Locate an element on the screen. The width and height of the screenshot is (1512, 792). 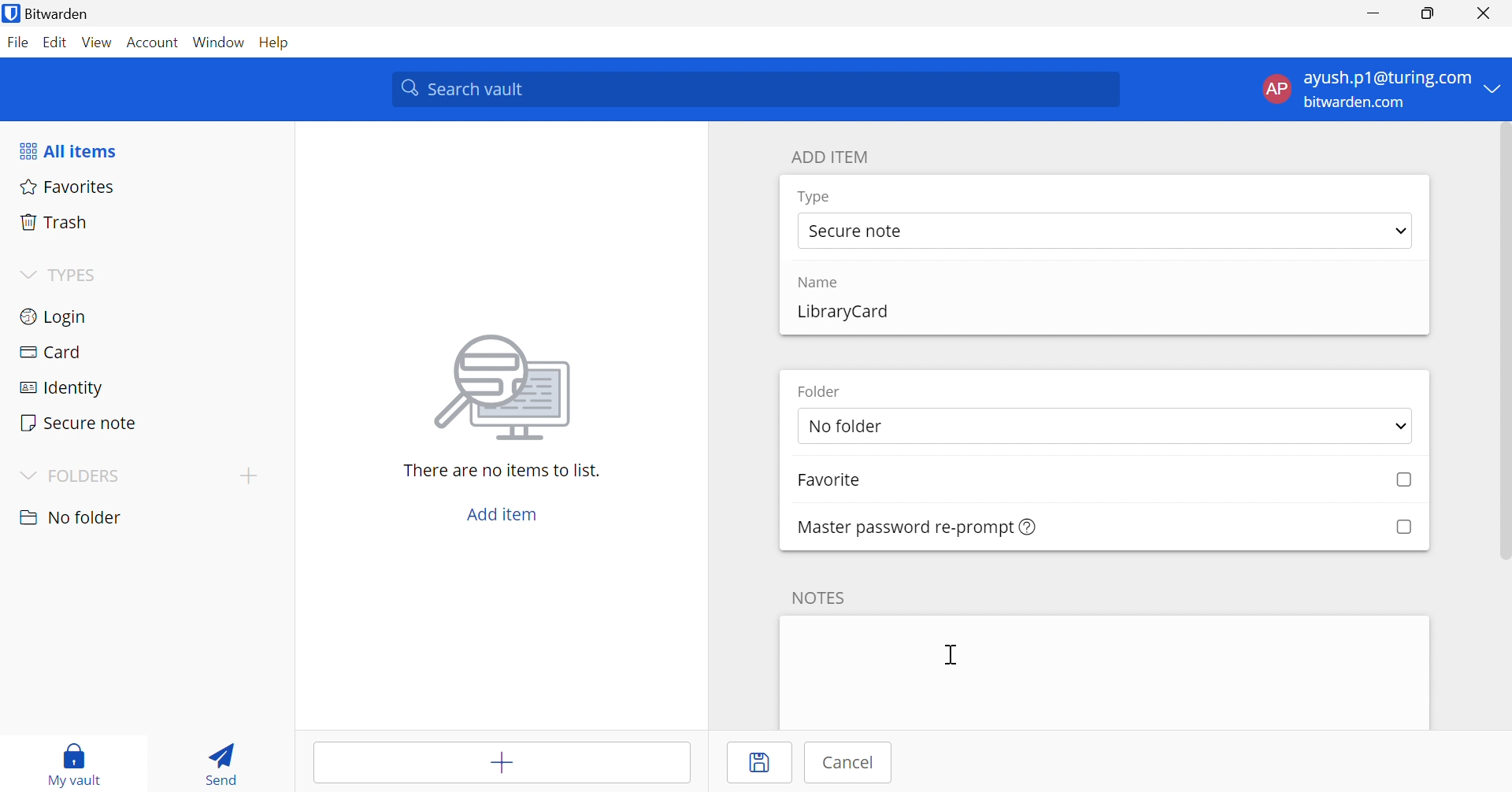
Account is located at coordinates (154, 41).